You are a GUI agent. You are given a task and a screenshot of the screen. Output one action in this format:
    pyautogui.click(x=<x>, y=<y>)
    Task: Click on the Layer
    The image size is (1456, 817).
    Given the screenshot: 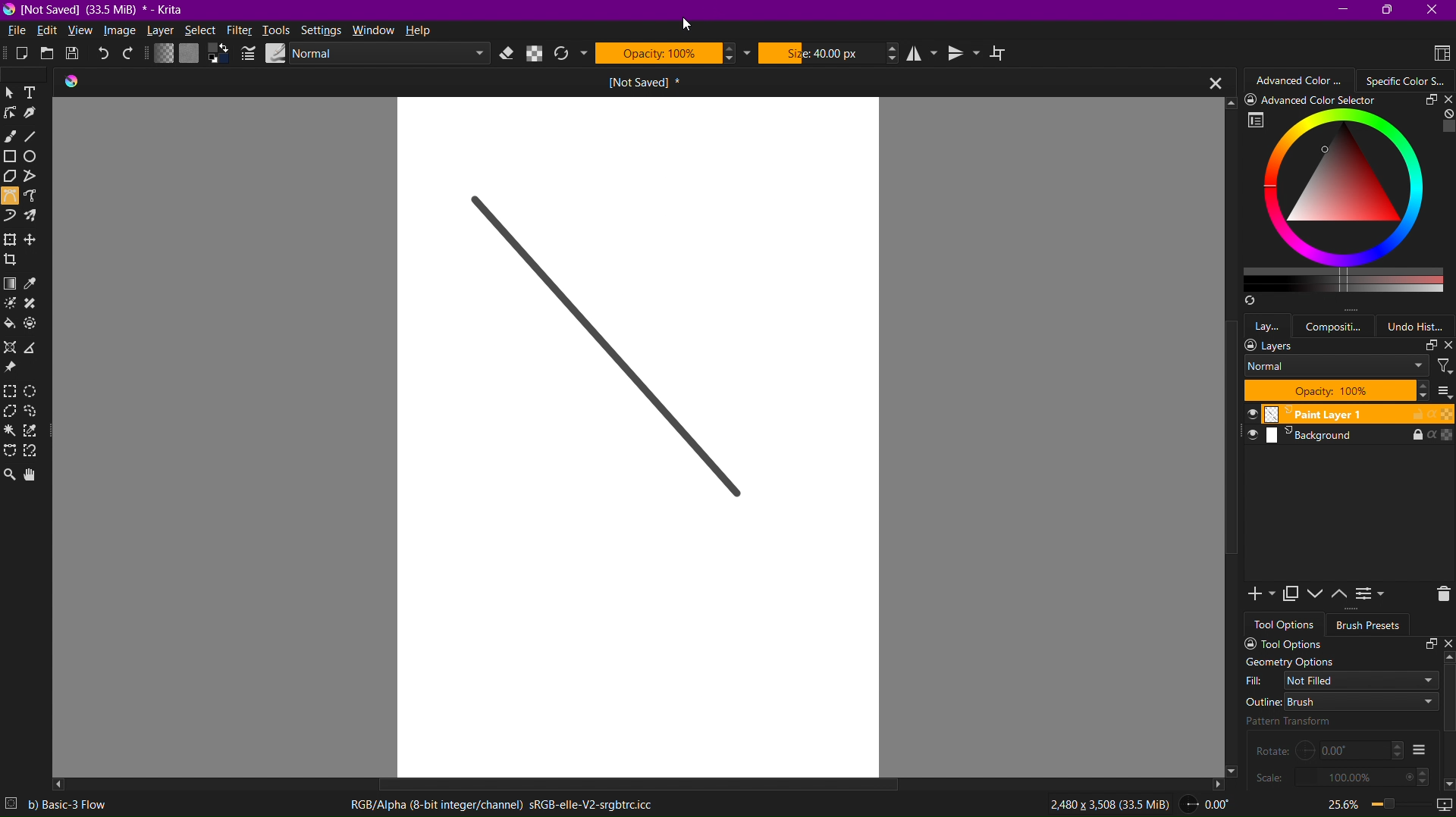 What is the action you would take?
    pyautogui.click(x=162, y=32)
    